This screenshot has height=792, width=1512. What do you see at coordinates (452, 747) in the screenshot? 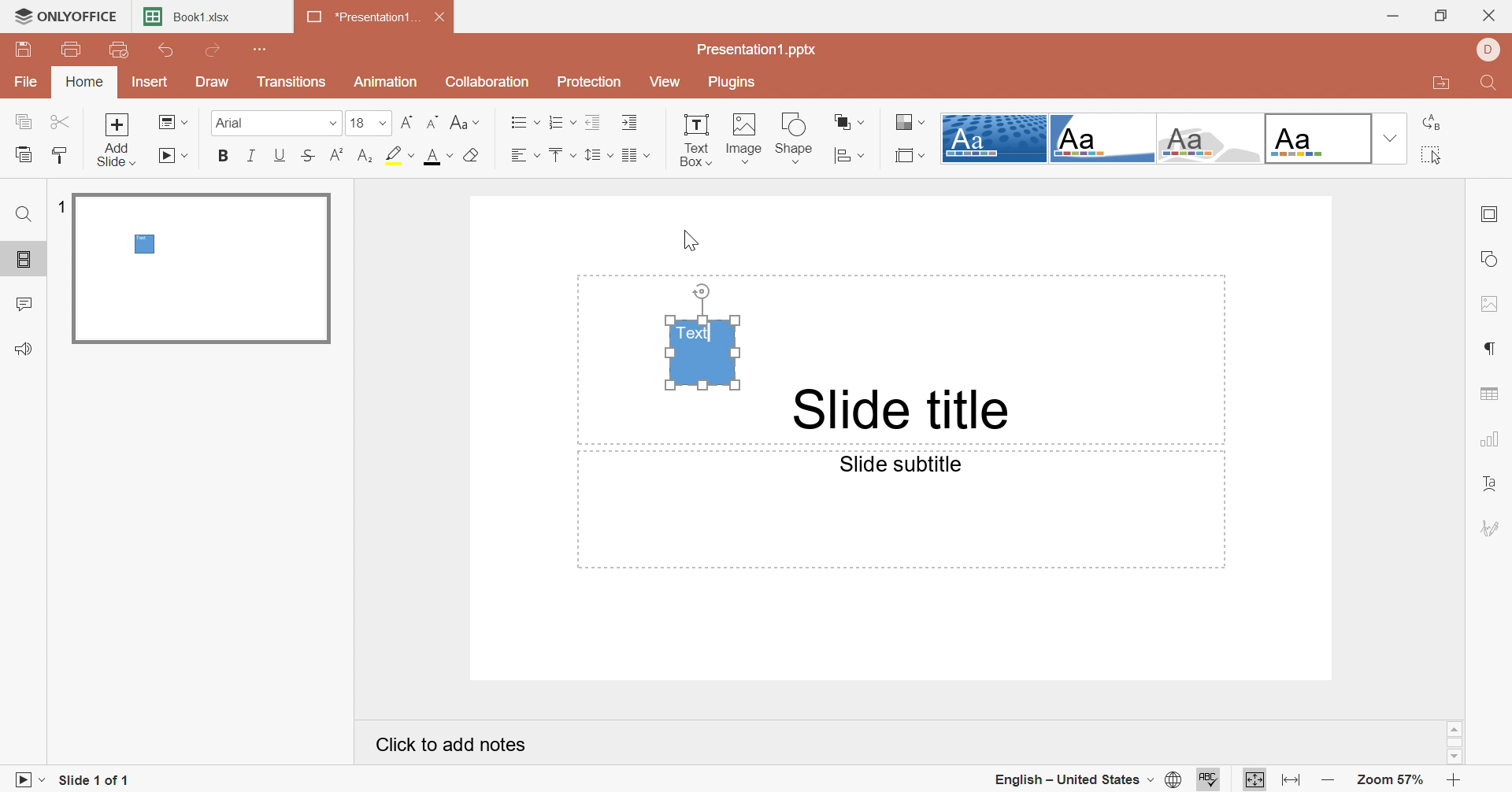
I see `Click to add notes` at bounding box center [452, 747].